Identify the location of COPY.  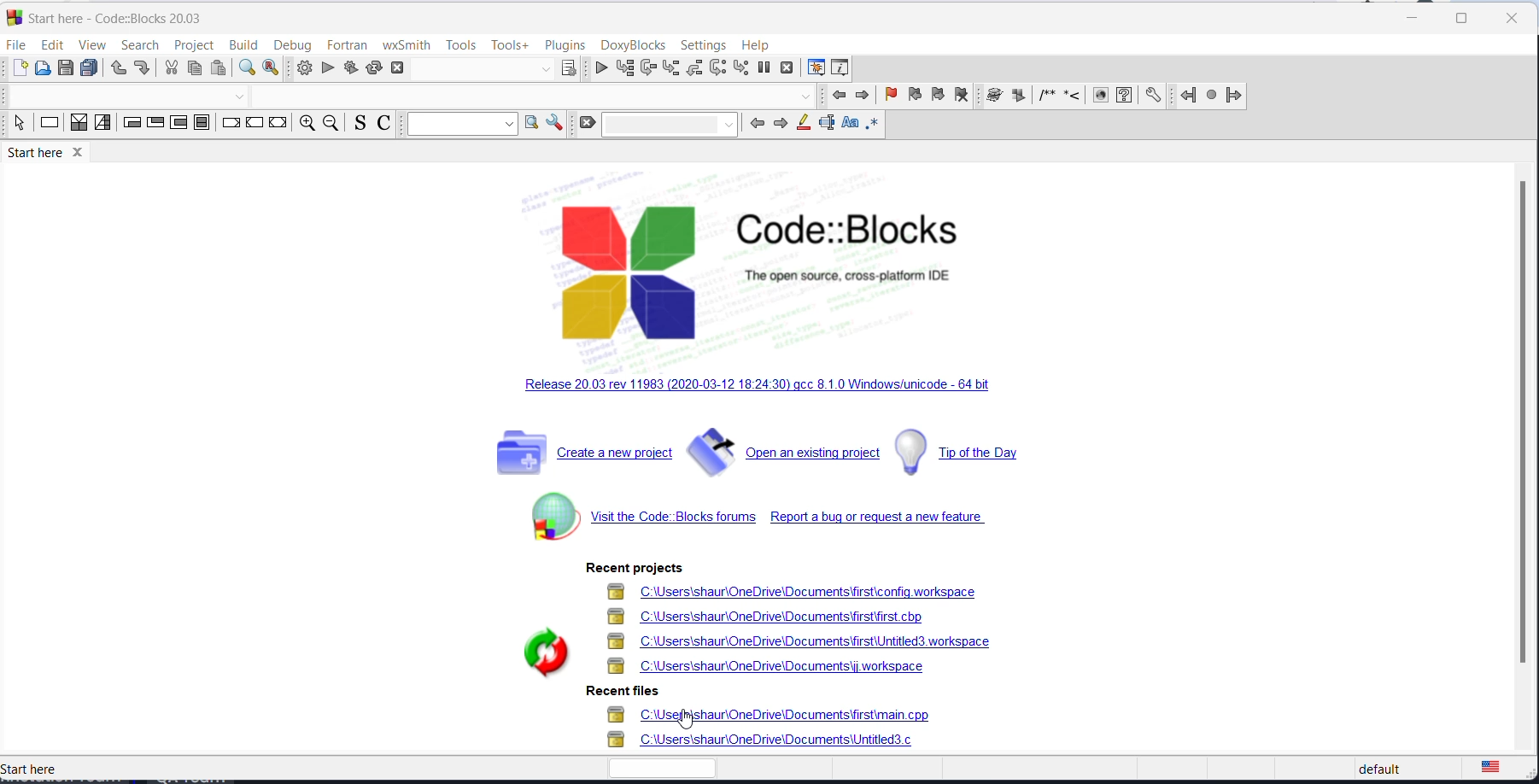
(193, 71).